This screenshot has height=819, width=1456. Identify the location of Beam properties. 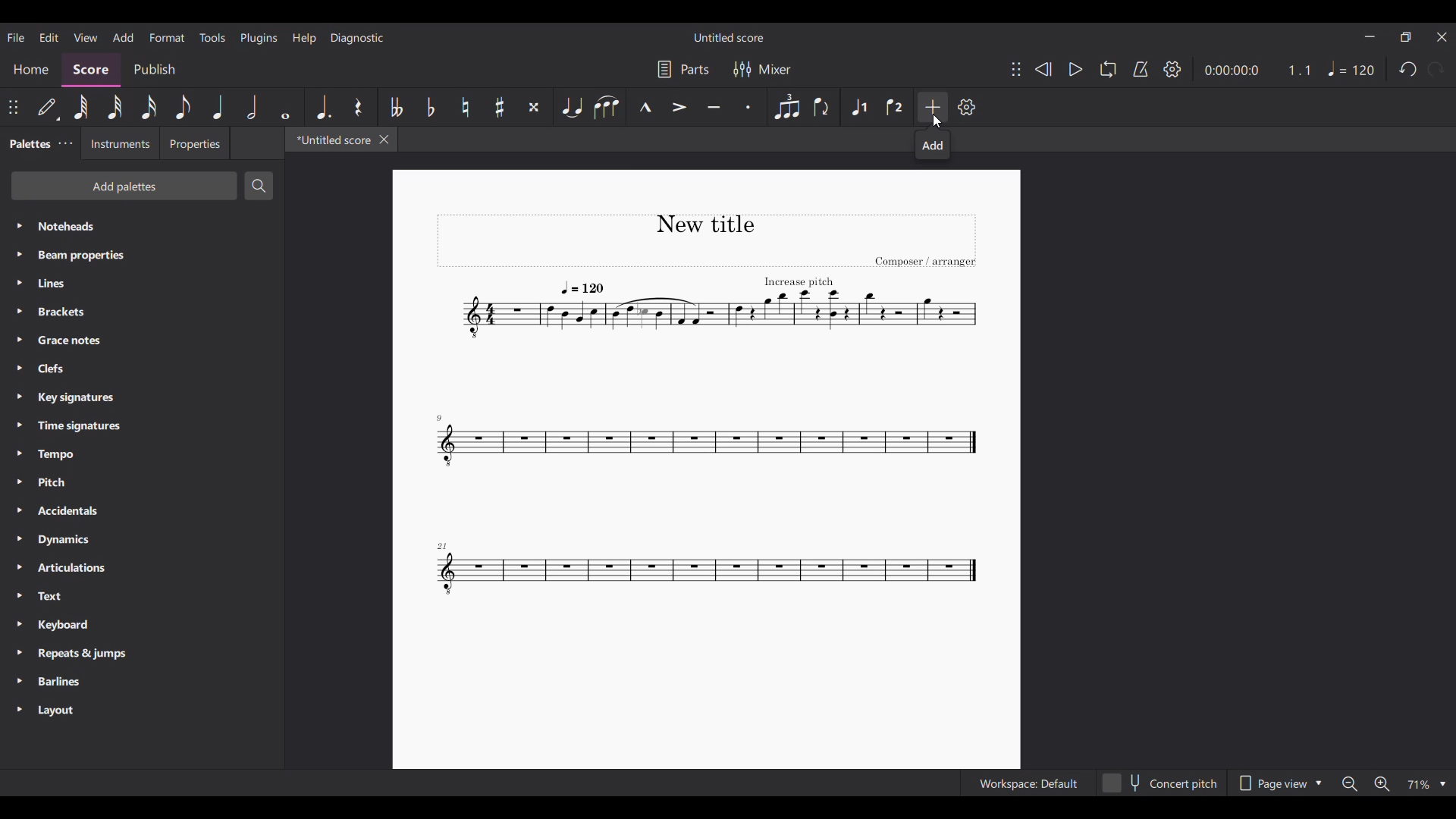
(141, 255).